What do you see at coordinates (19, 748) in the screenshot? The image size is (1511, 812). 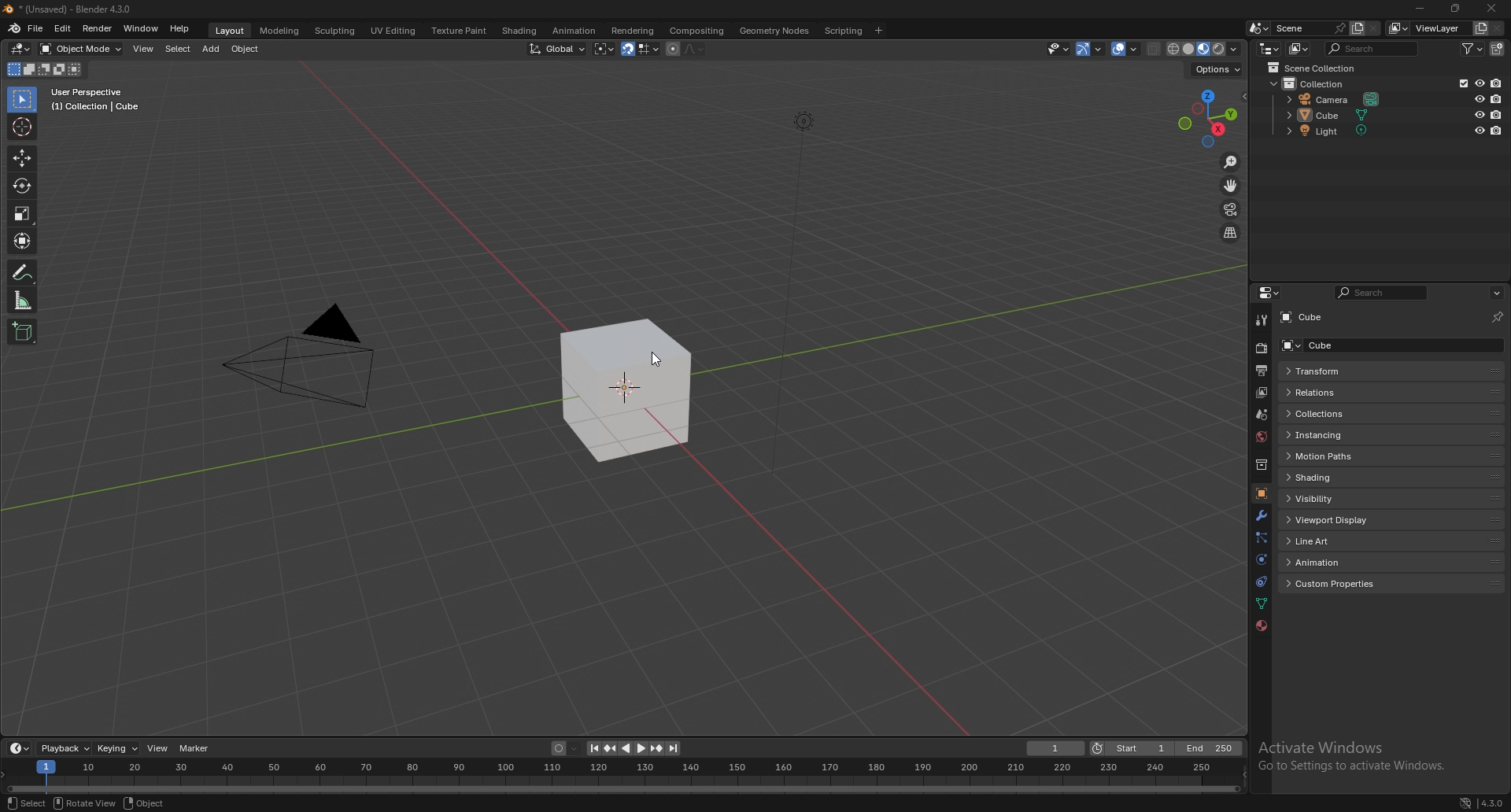 I see `editor type` at bounding box center [19, 748].